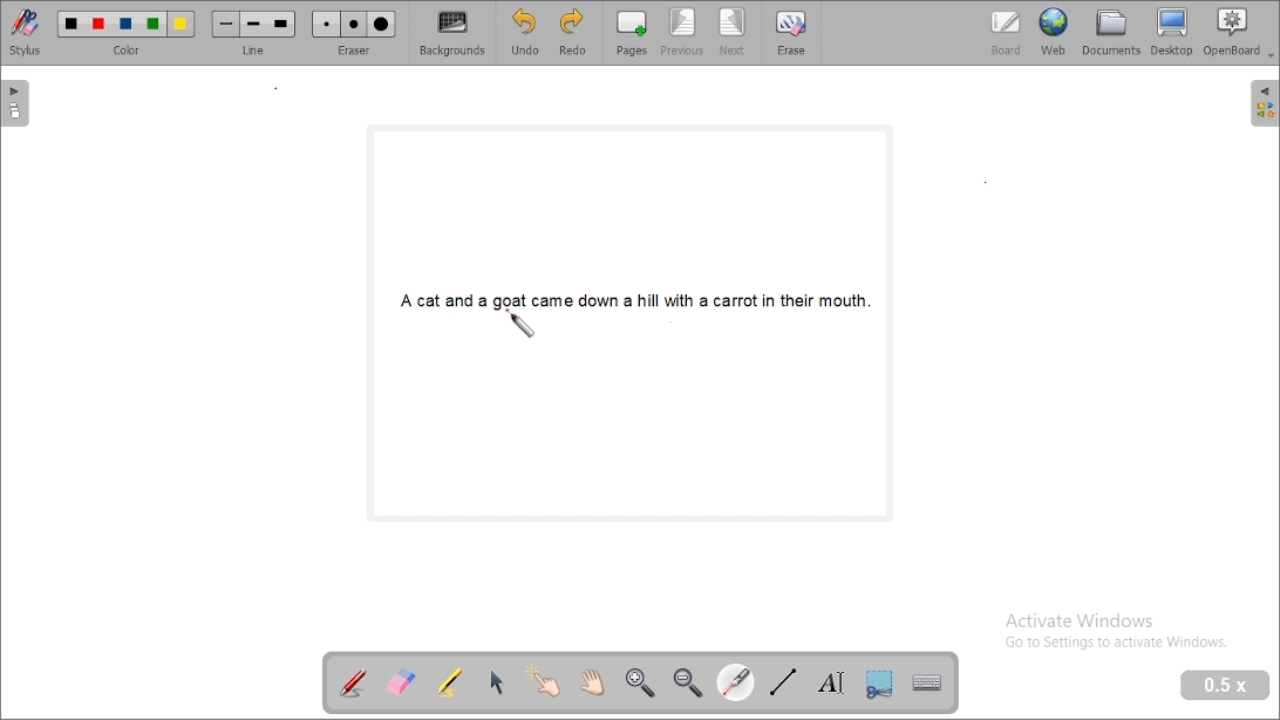 Image resolution: width=1280 pixels, height=720 pixels. What do you see at coordinates (354, 682) in the screenshot?
I see `annotate document` at bounding box center [354, 682].